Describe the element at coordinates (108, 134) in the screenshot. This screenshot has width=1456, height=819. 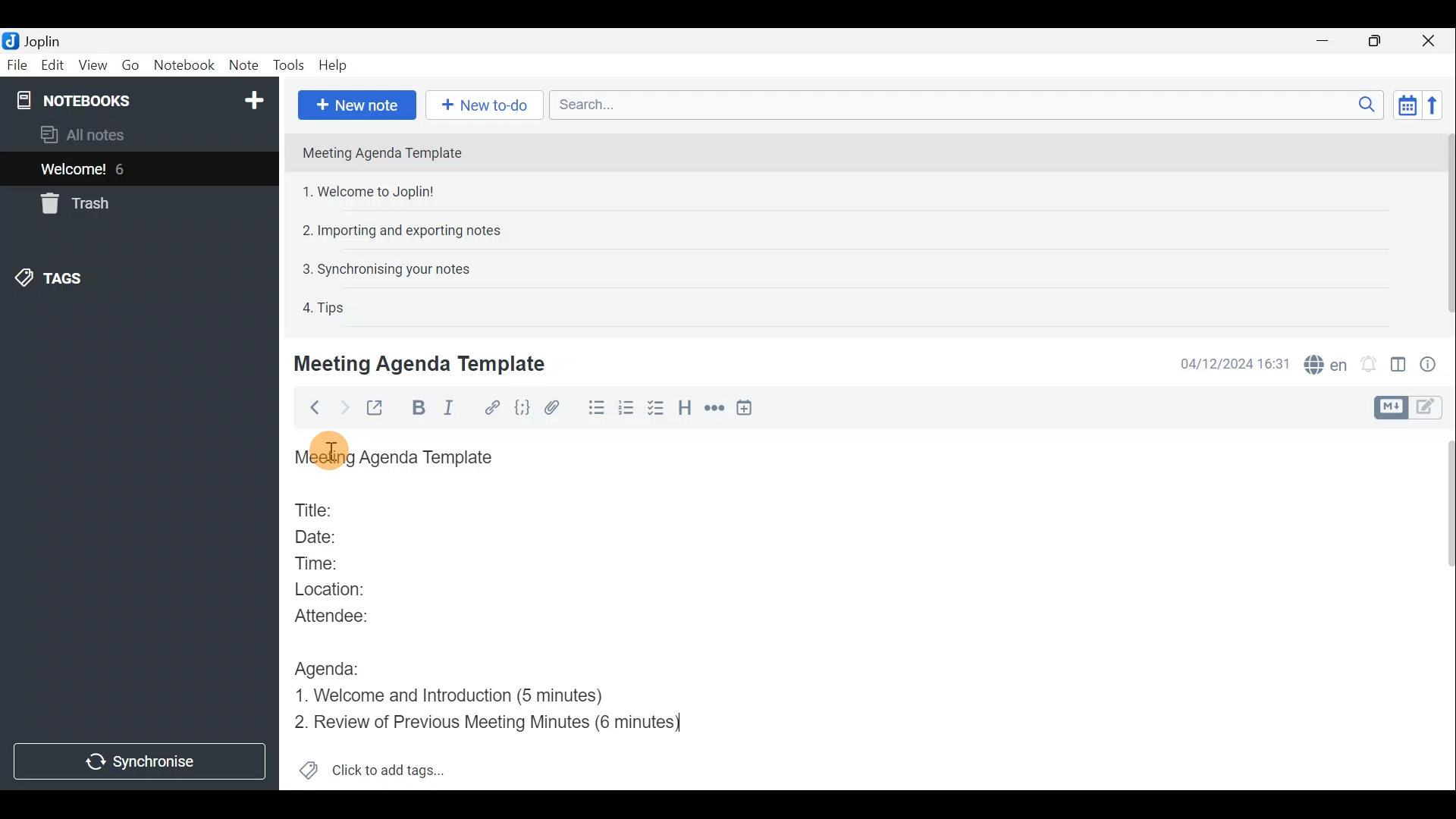
I see `All notes` at that location.